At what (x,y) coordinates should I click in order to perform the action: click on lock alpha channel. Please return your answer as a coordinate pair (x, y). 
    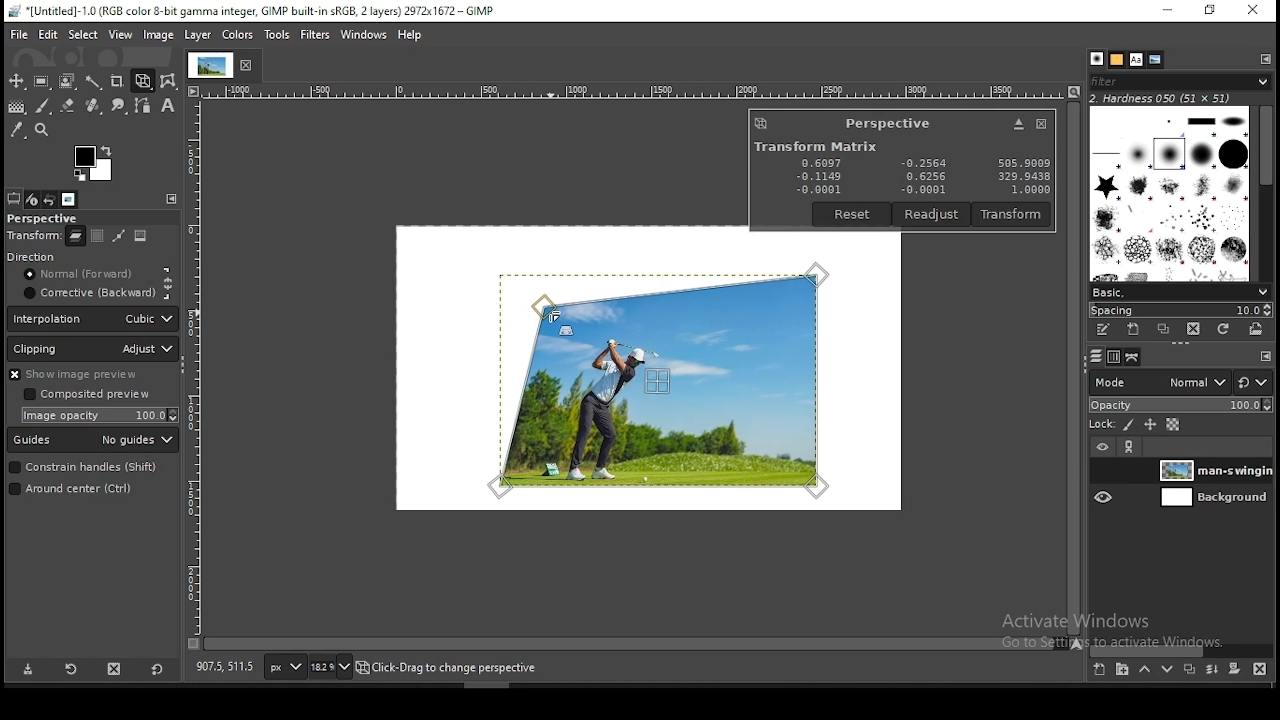
    Looking at the image, I should click on (1172, 426).